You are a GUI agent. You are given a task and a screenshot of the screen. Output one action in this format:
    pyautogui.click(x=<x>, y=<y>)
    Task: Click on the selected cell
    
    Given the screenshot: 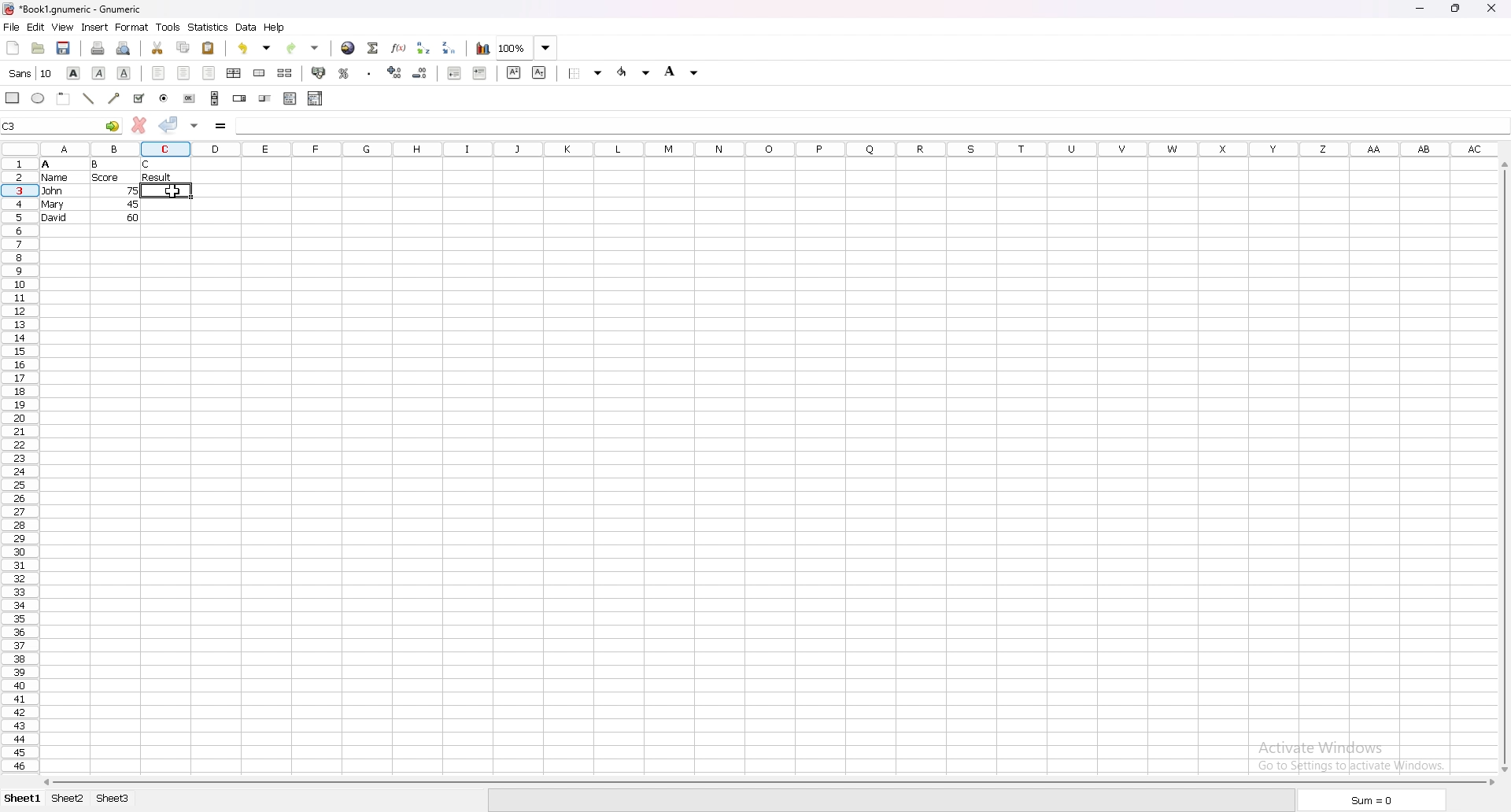 What is the action you would take?
    pyautogui.click(x=62, y=125)
    